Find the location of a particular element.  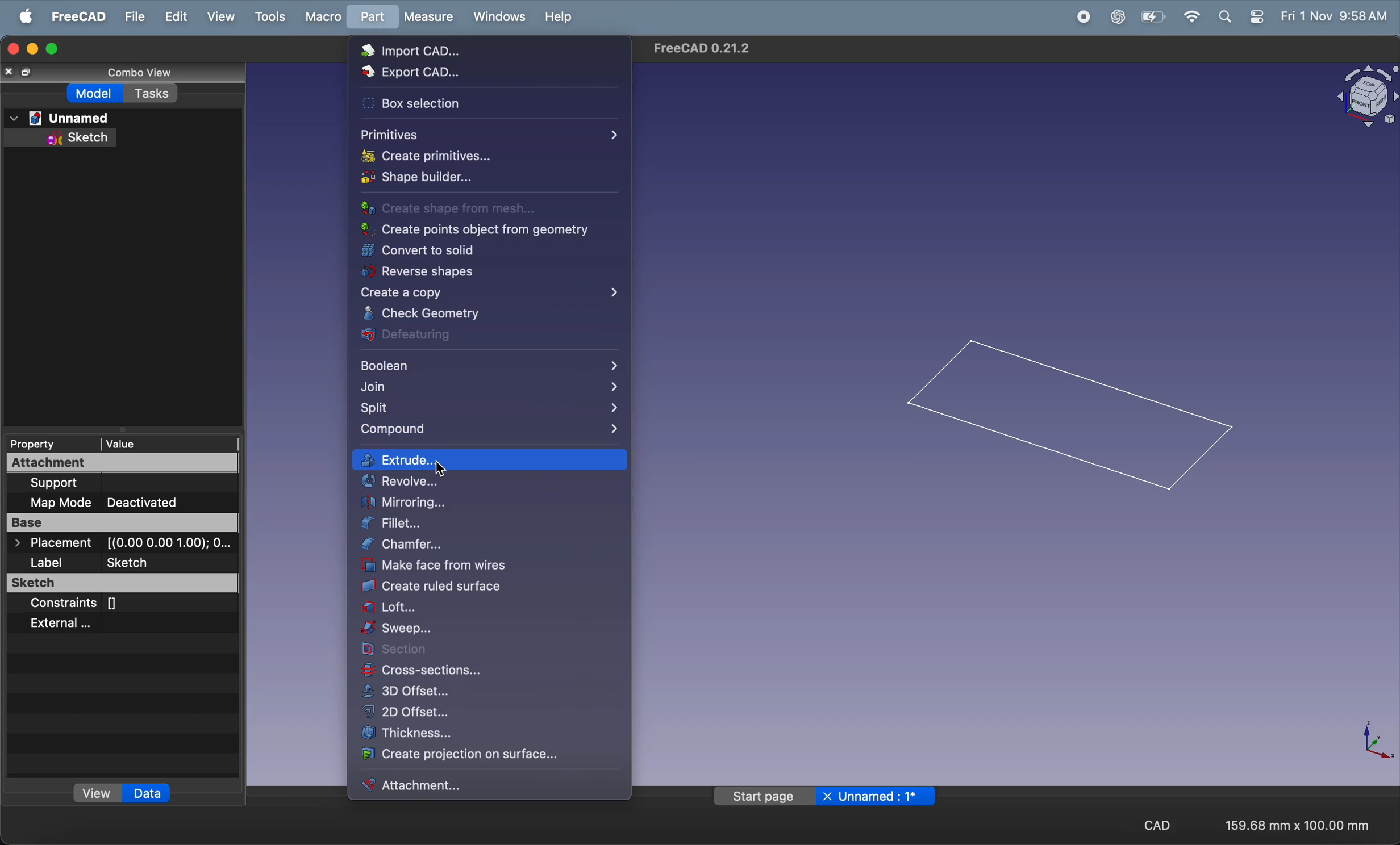

2d offset is located at coordinates (494, 712).